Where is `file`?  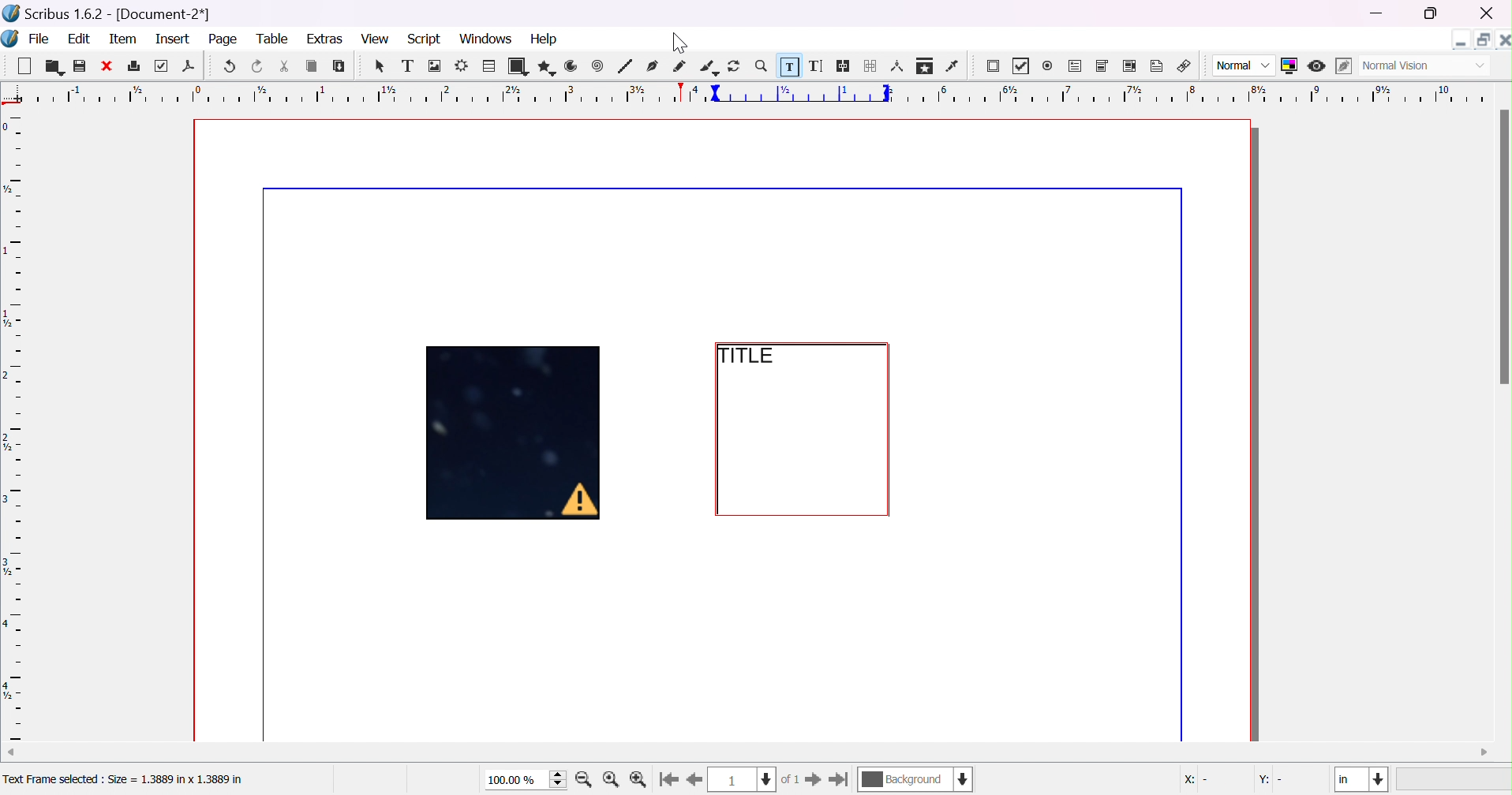
file is located at coordinates (39, 38).